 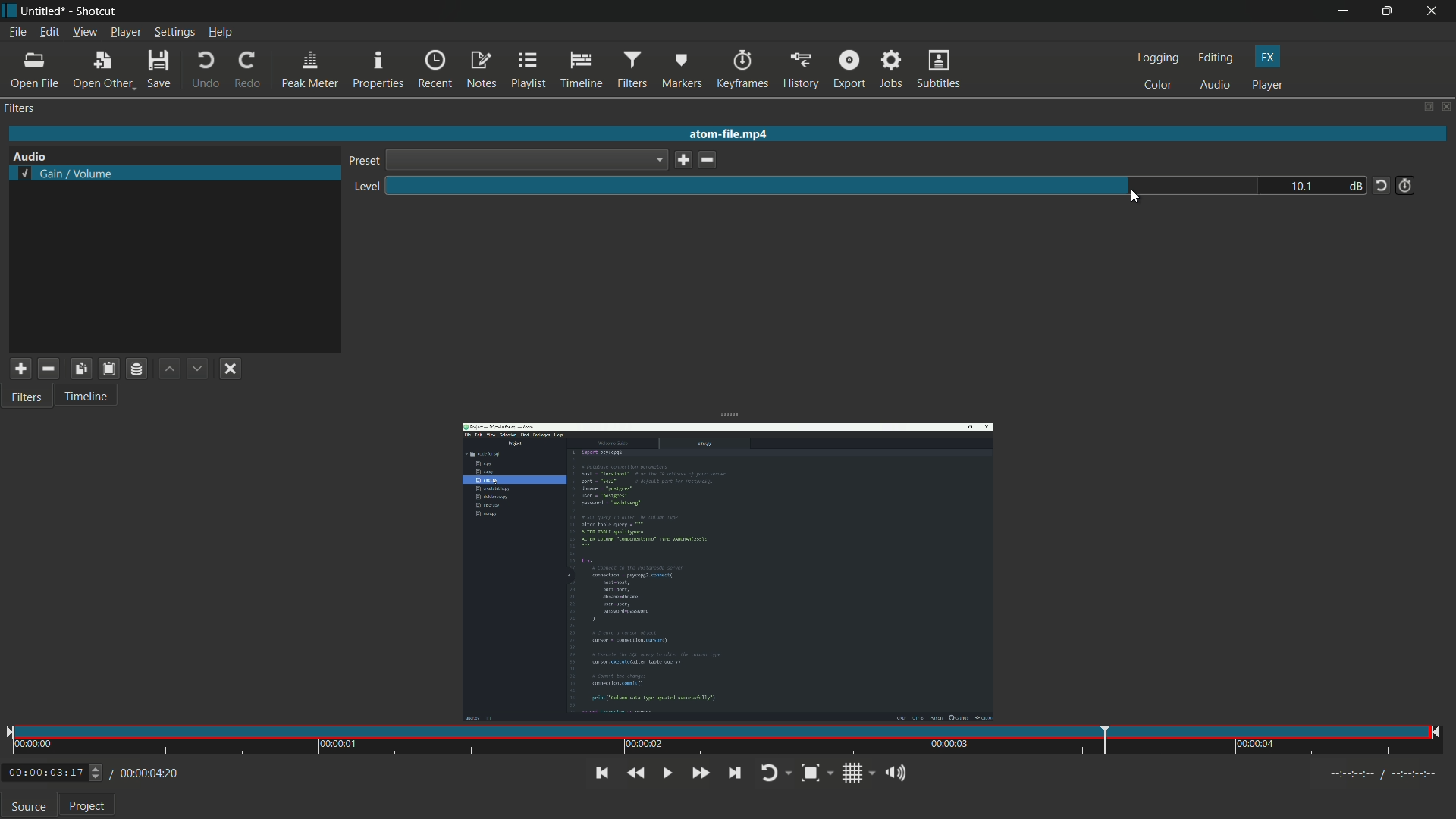 I want to click on skip to the previous point, so click(x=601, y=773).